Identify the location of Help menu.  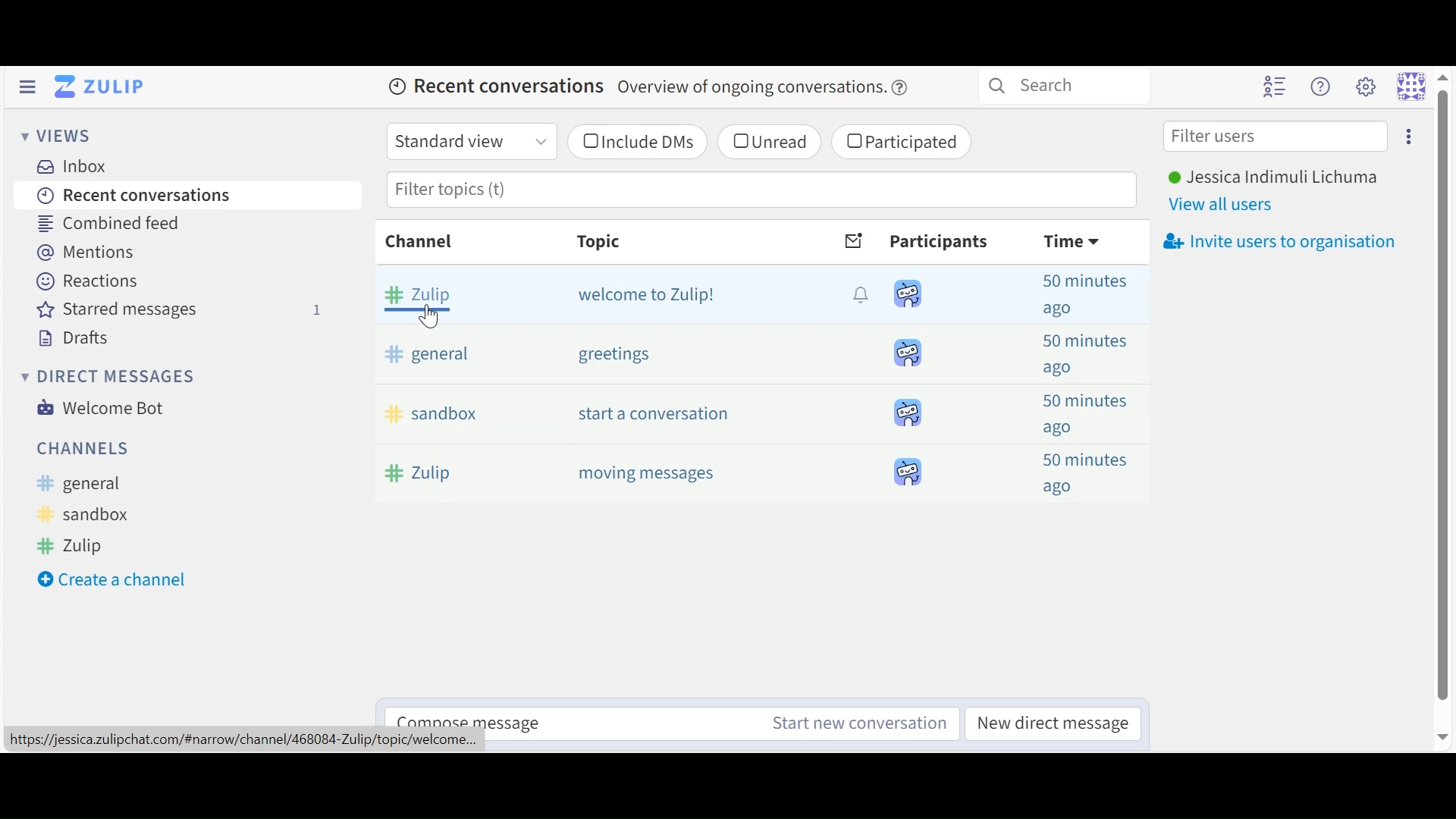
(1323, 86).